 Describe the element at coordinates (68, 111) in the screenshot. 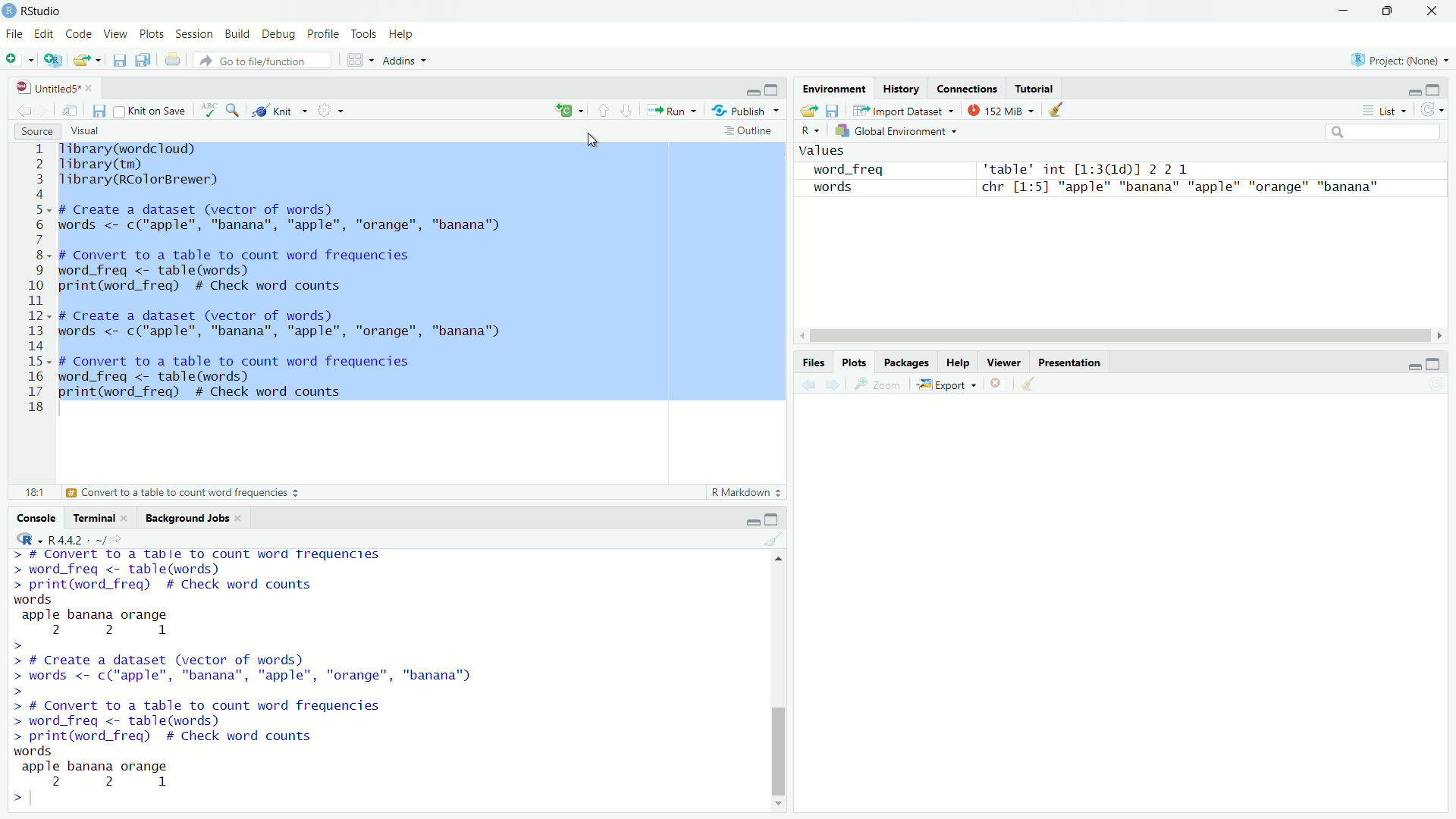

I see `Show in the new window` at that location.